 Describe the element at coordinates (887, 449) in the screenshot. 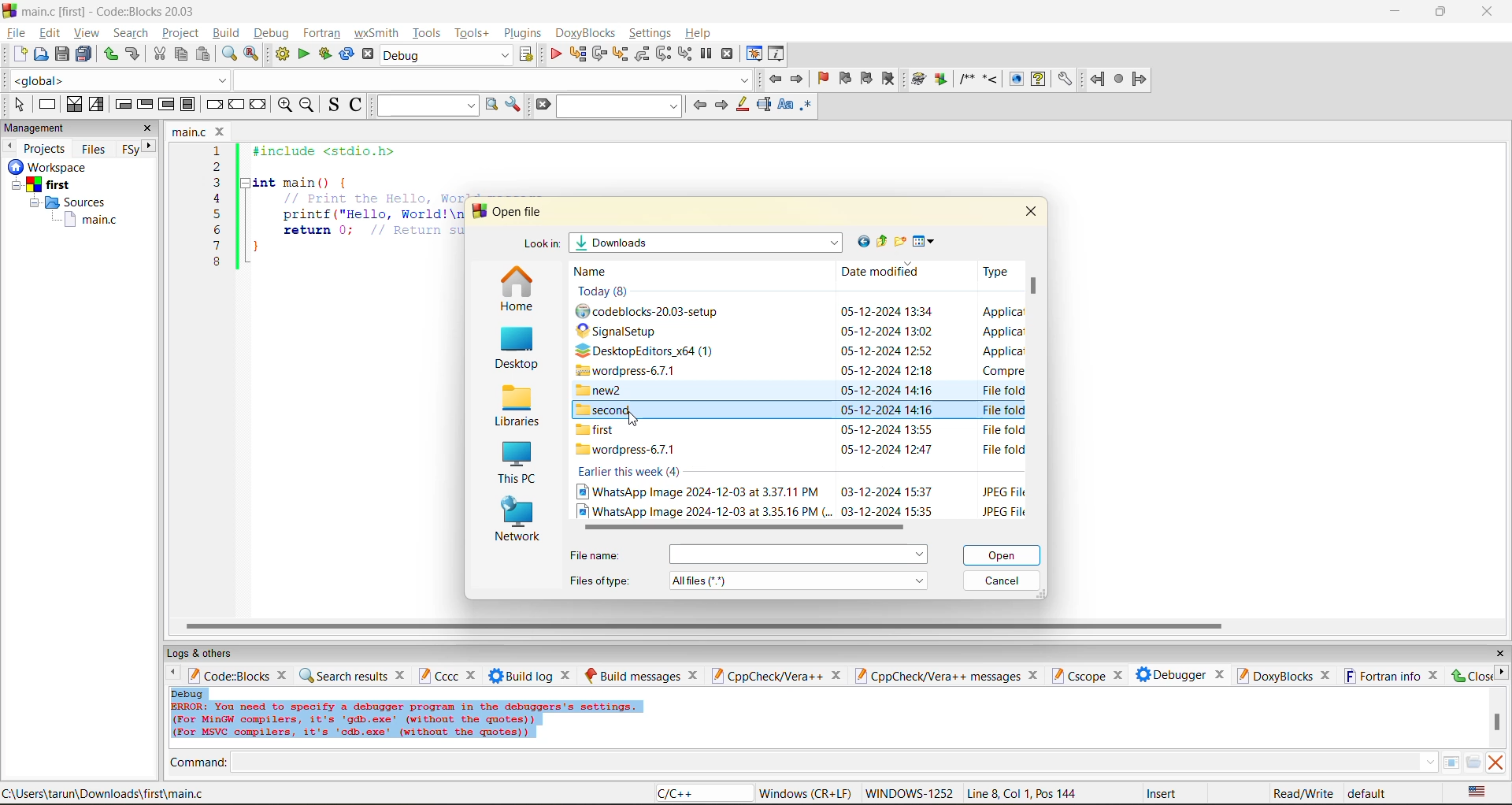

I see `date and time` at that location.